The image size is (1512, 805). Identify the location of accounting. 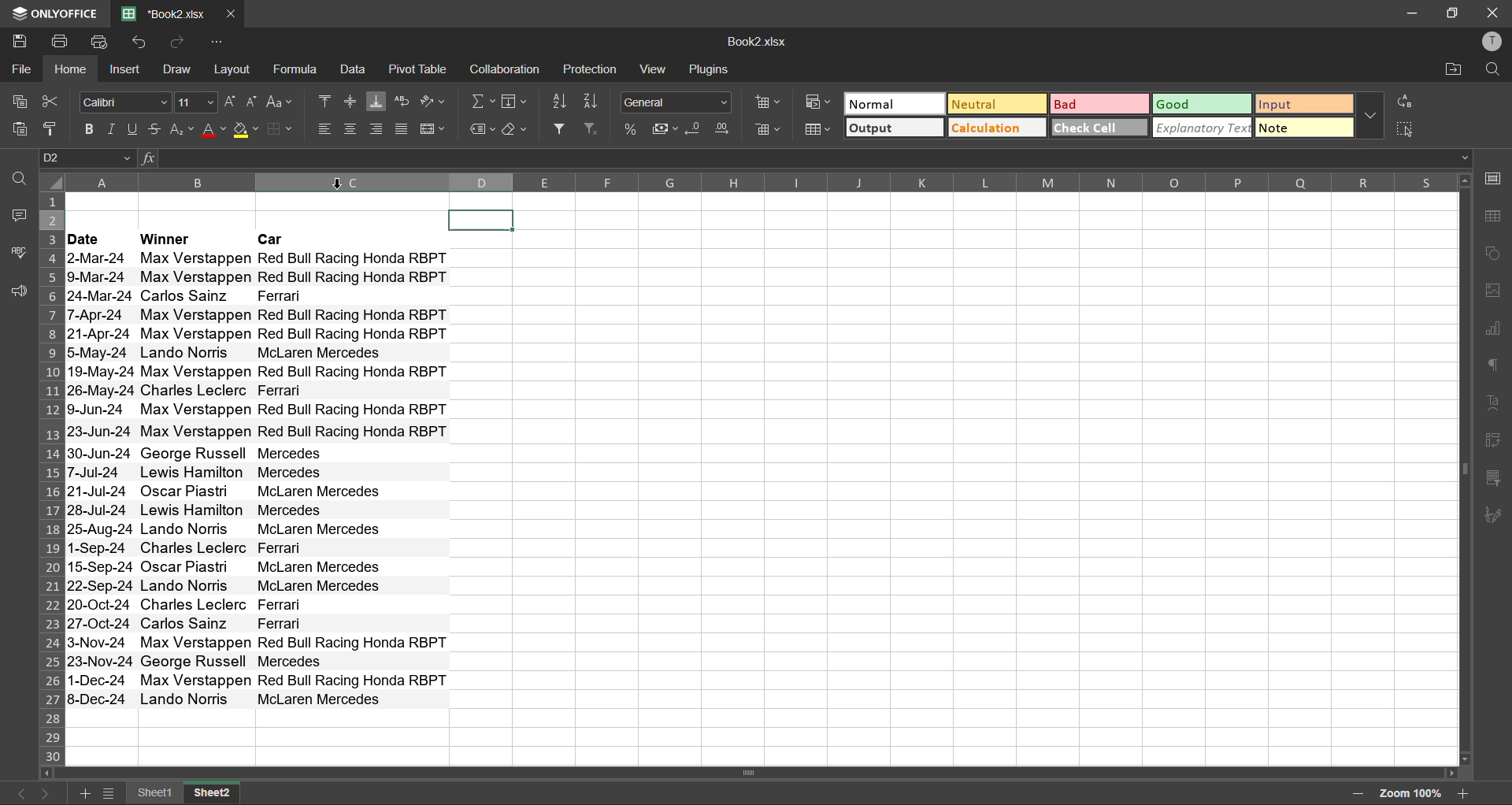
(665, 127).